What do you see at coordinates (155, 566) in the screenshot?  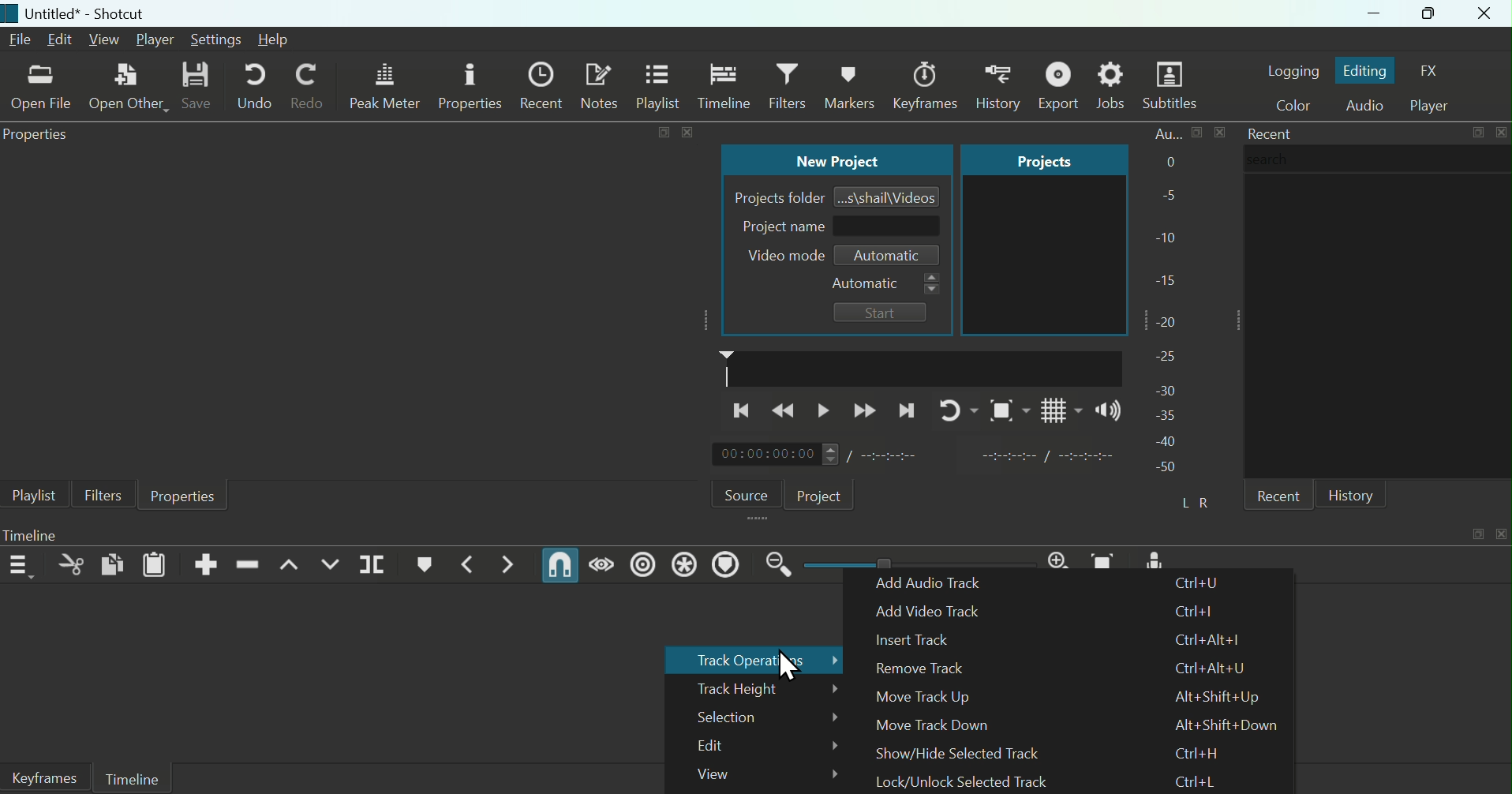 I see `Paste` at bounding box center [155, 566].